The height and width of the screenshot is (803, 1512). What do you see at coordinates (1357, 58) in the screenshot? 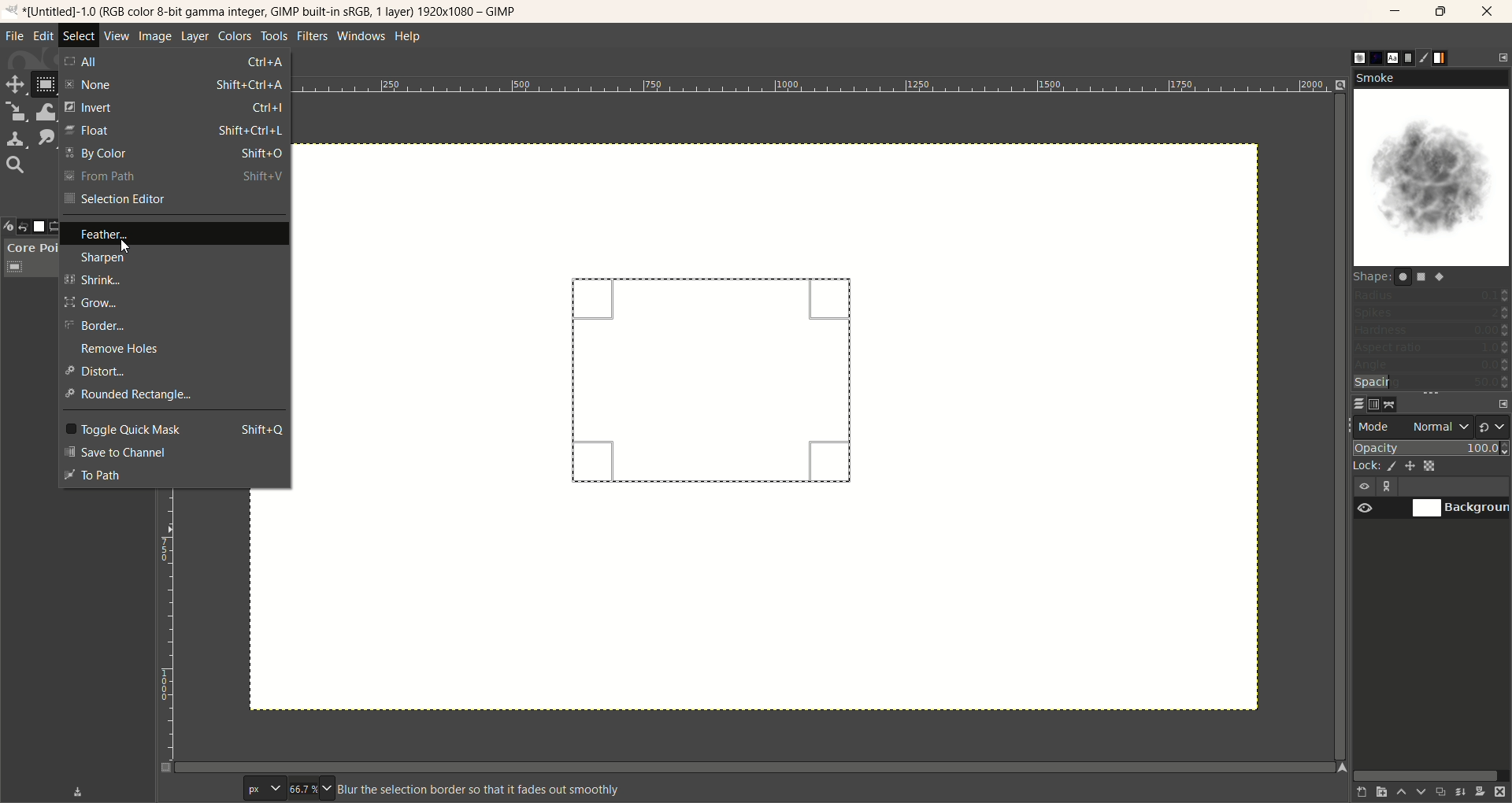
I see `brush` at bounding box center [1357, 58].